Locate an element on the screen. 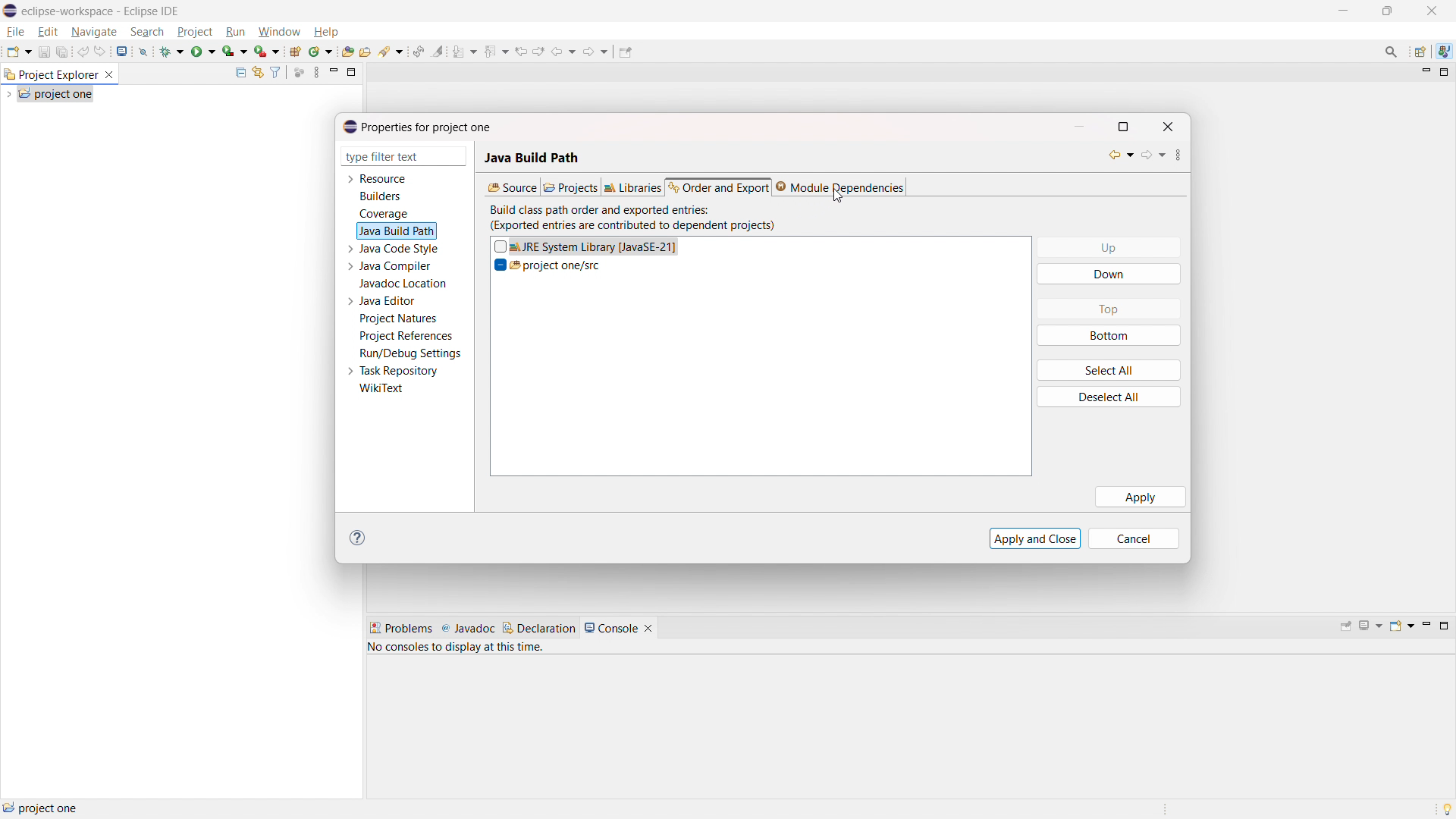  logo is located at coordinates (11, 11).